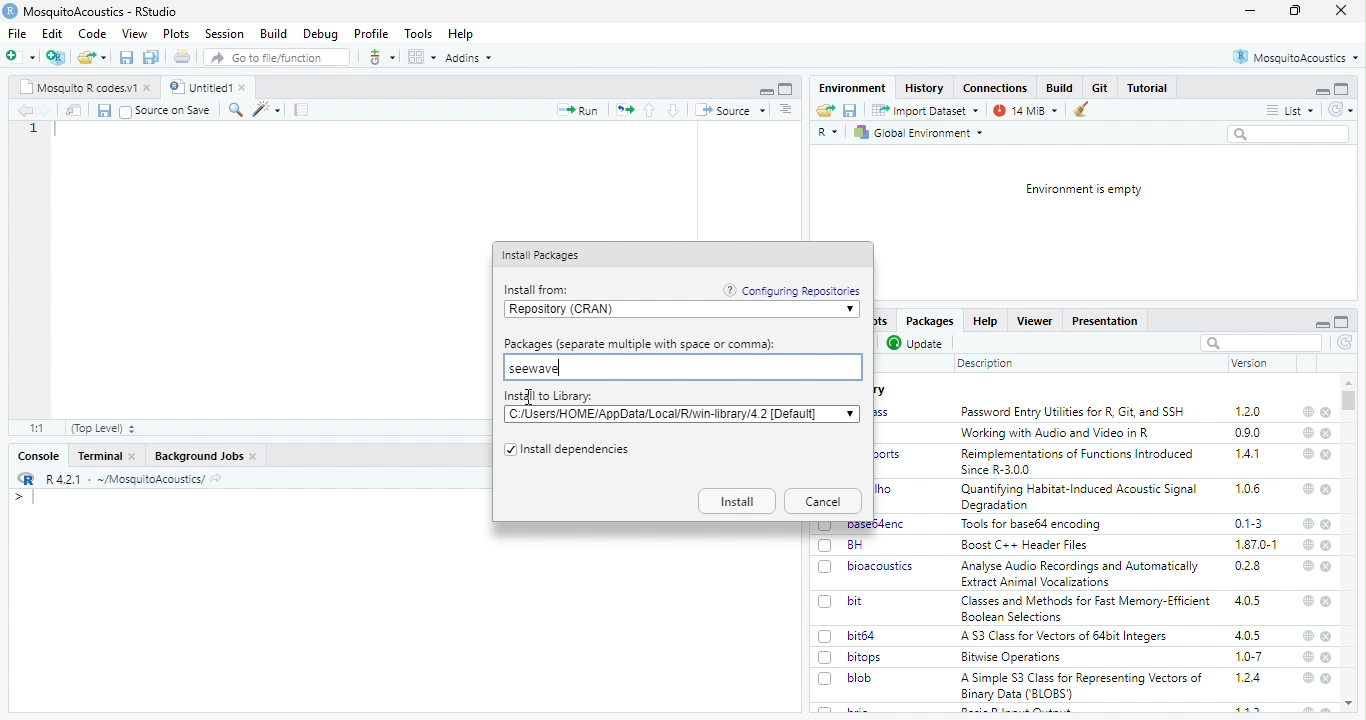  Describe the element at coordinates (1023, 111) in the screenshot. I see `6 MiB` at that location.